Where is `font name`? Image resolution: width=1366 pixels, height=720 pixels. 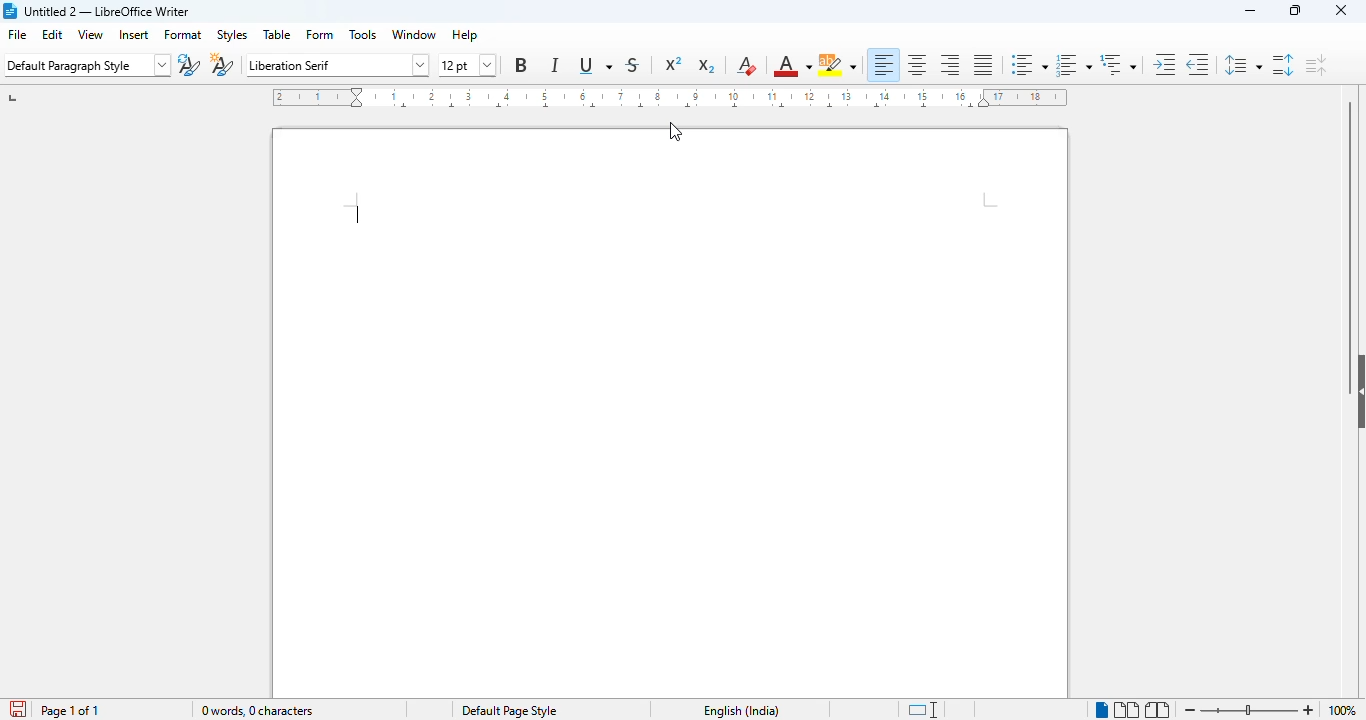
font name is located at coordinates (337, 65).